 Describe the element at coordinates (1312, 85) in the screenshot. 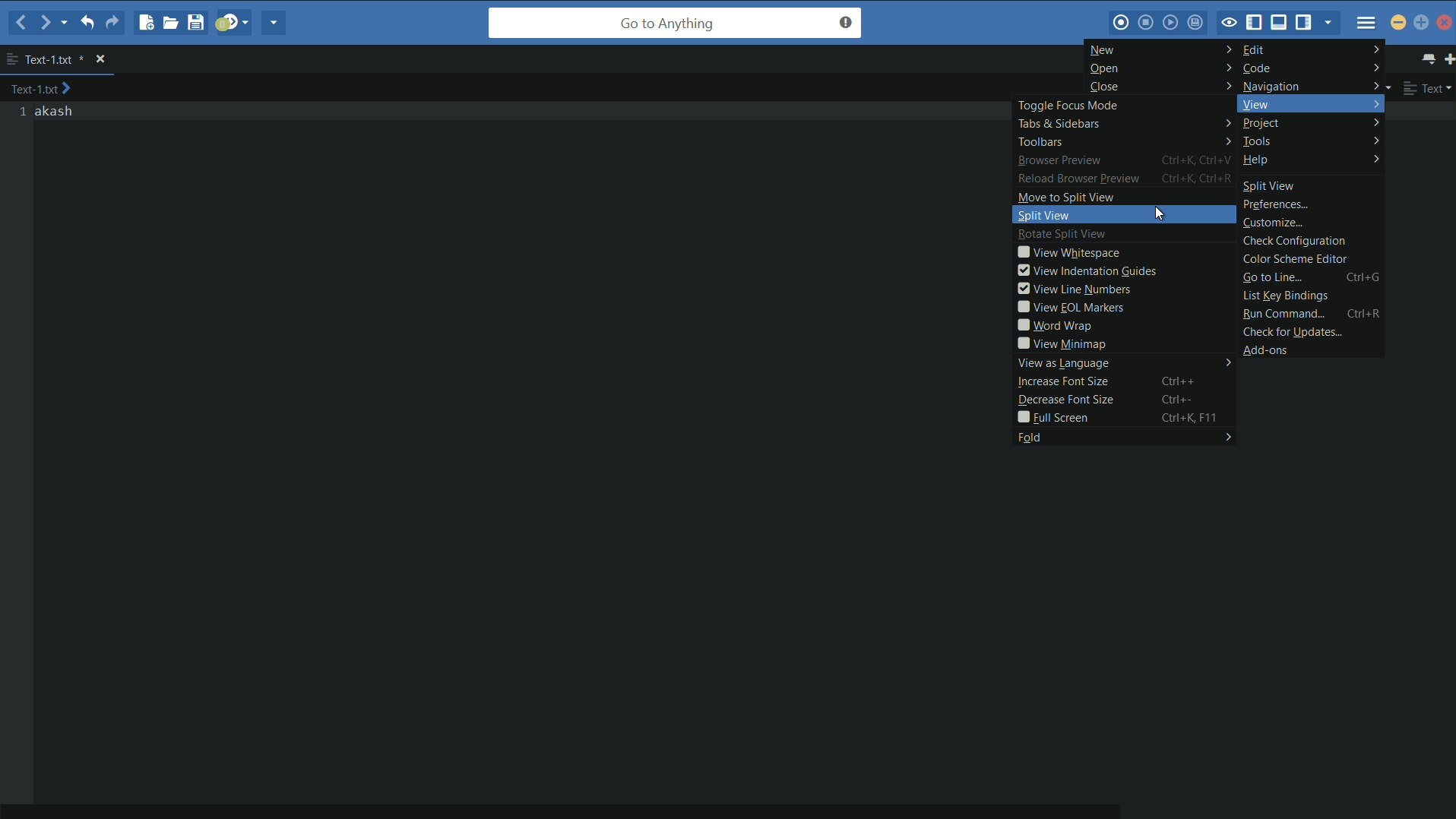

I see `navigation` at that location.